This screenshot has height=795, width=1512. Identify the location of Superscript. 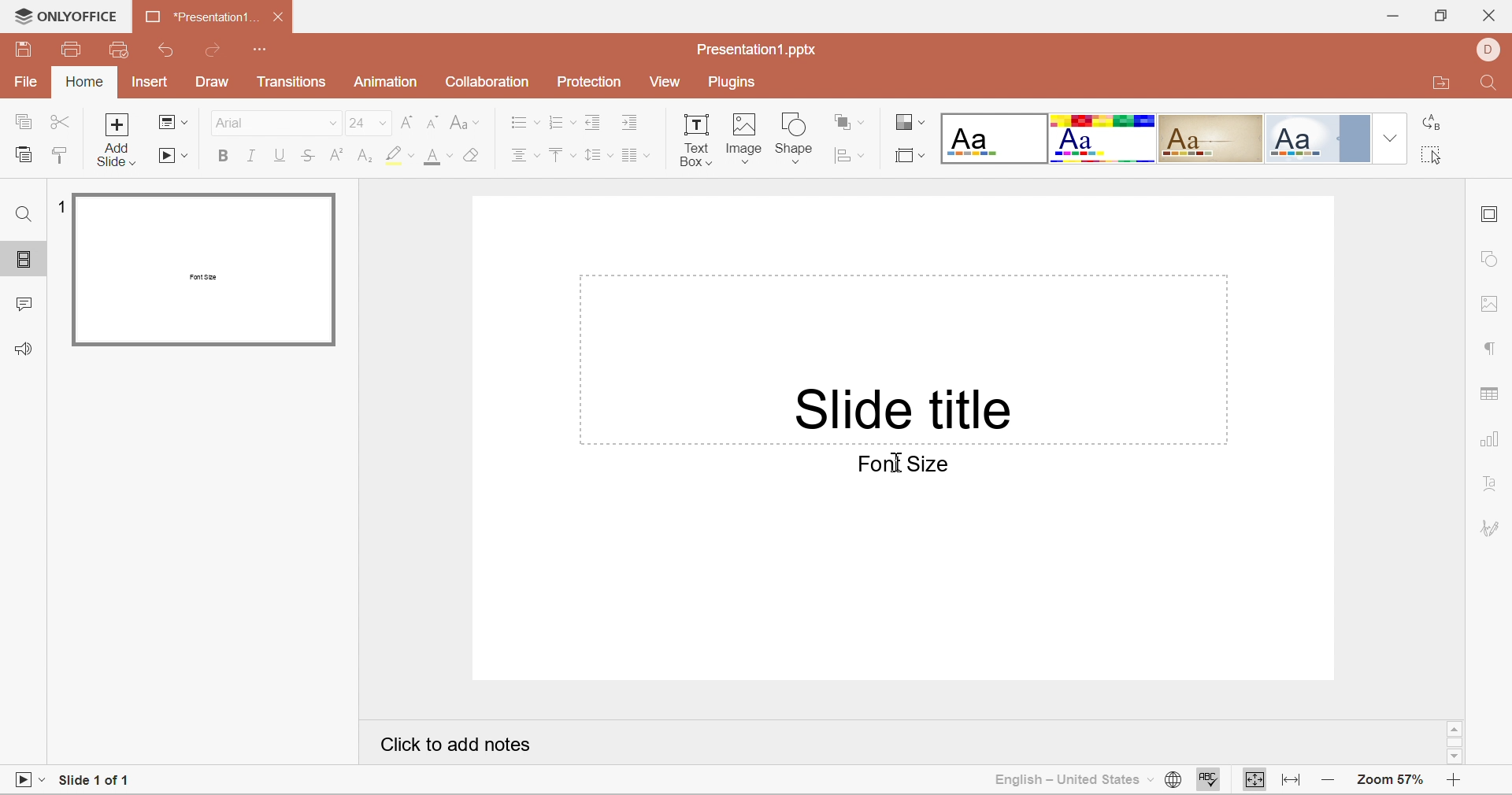
(334, 156).